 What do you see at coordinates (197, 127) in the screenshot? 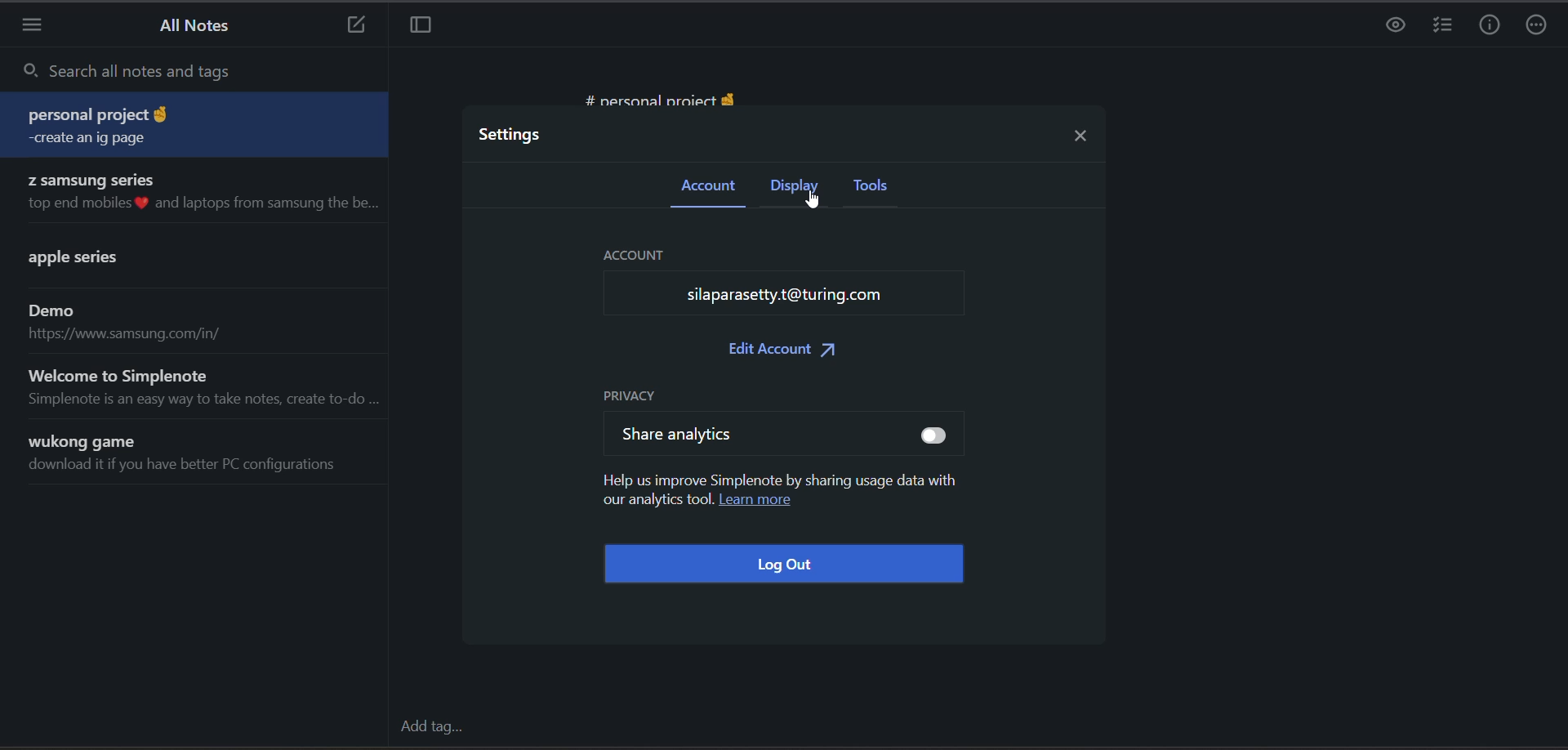
I see `note title and preview` at bounding box center [197, 127].